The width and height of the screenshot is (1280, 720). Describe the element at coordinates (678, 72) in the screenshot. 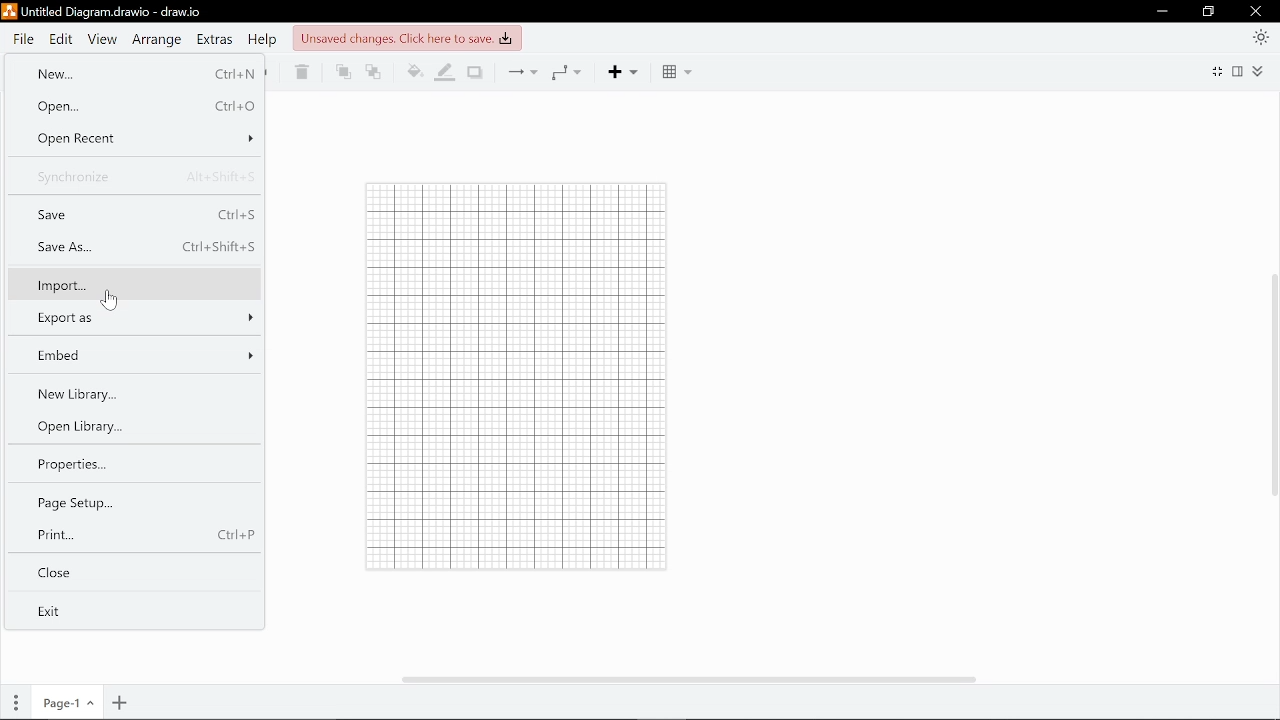

I see `table` at that location.